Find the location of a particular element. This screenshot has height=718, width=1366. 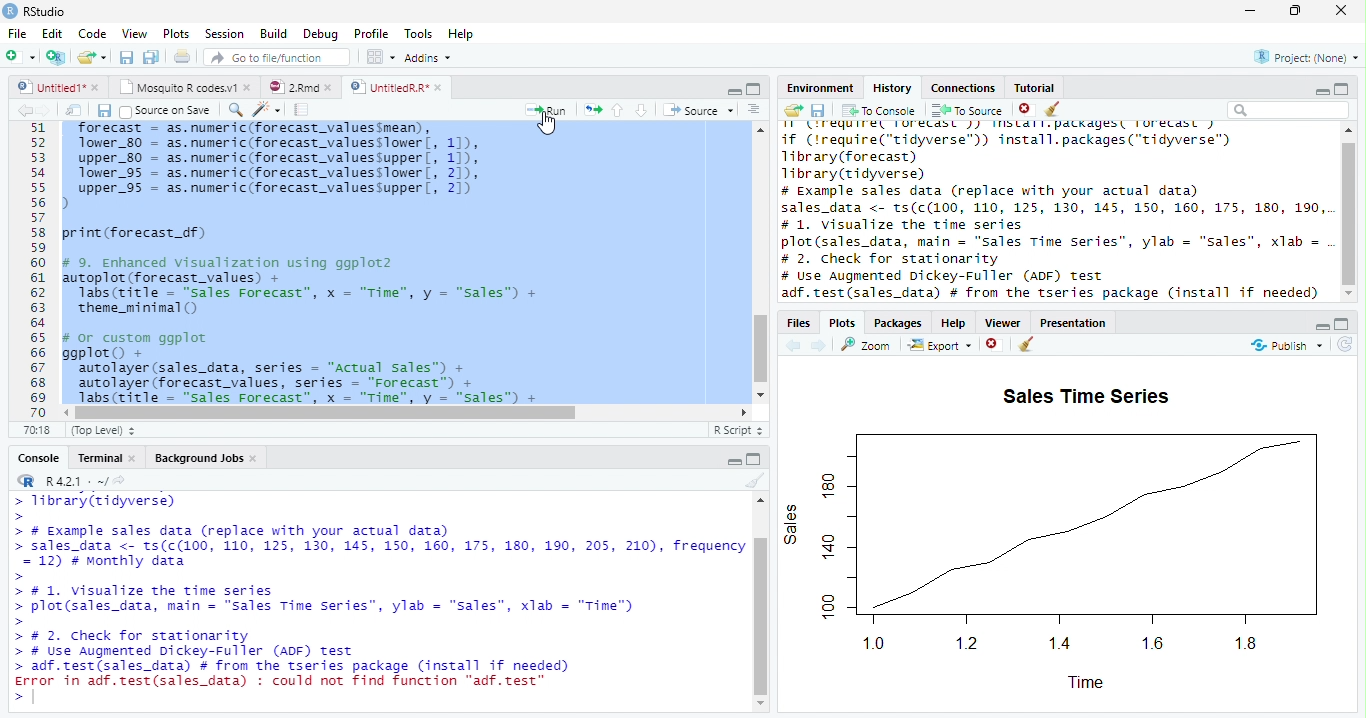

Packages is located at coordinates (899, 324).